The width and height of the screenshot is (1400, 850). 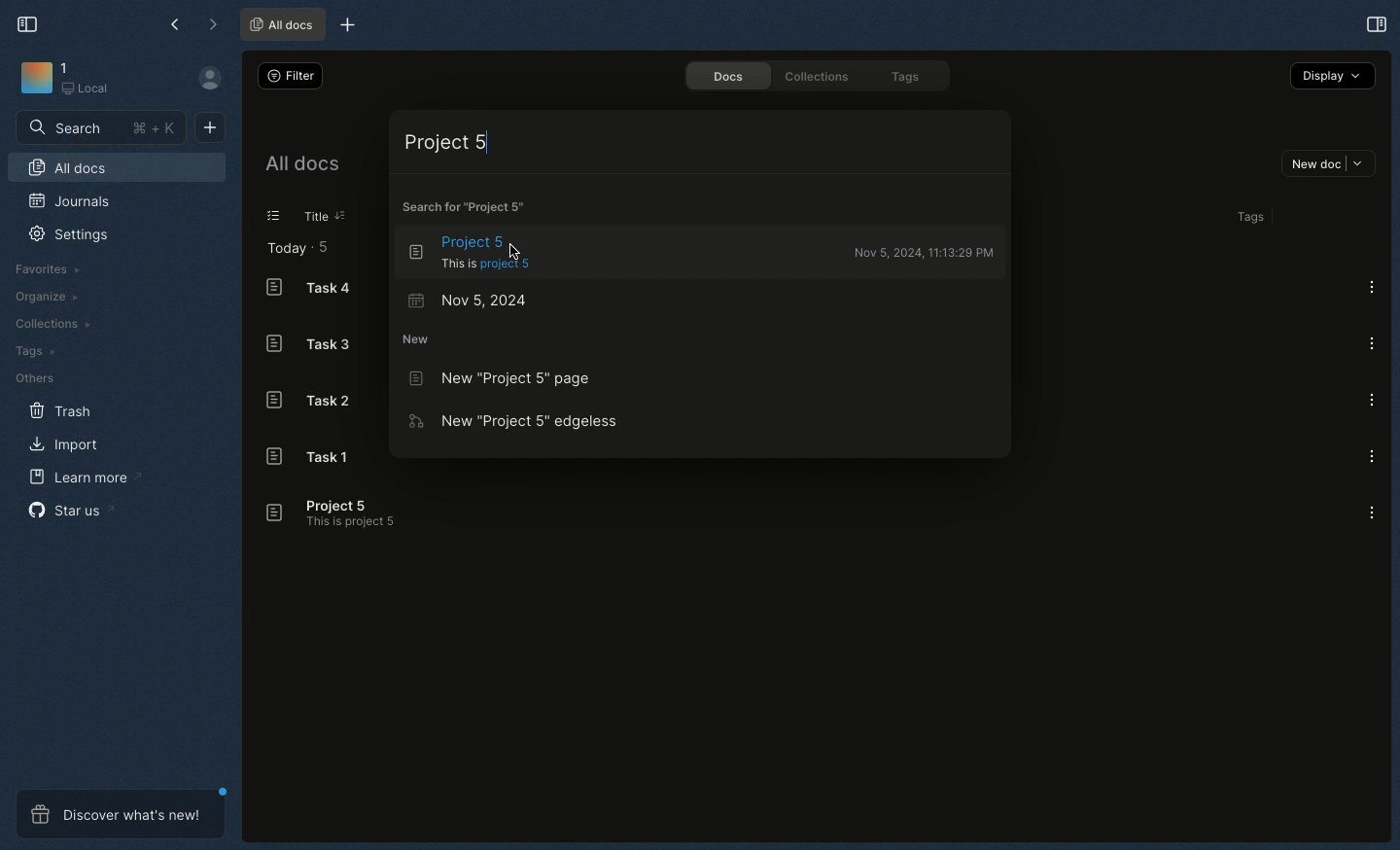 I want to click on Forward, so click(x=209, y=21).